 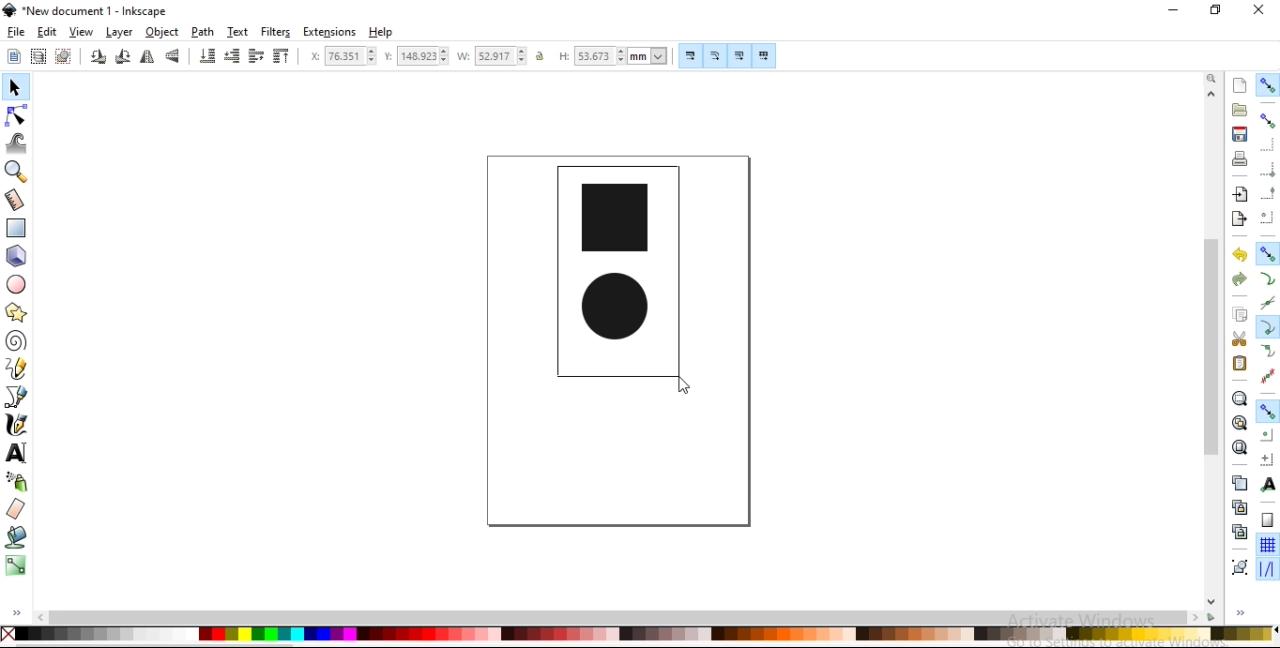 What do you see at coordinates (765, 56) in the screenshot?
I see `move patterns along with object` at bounding box center [765, 56].